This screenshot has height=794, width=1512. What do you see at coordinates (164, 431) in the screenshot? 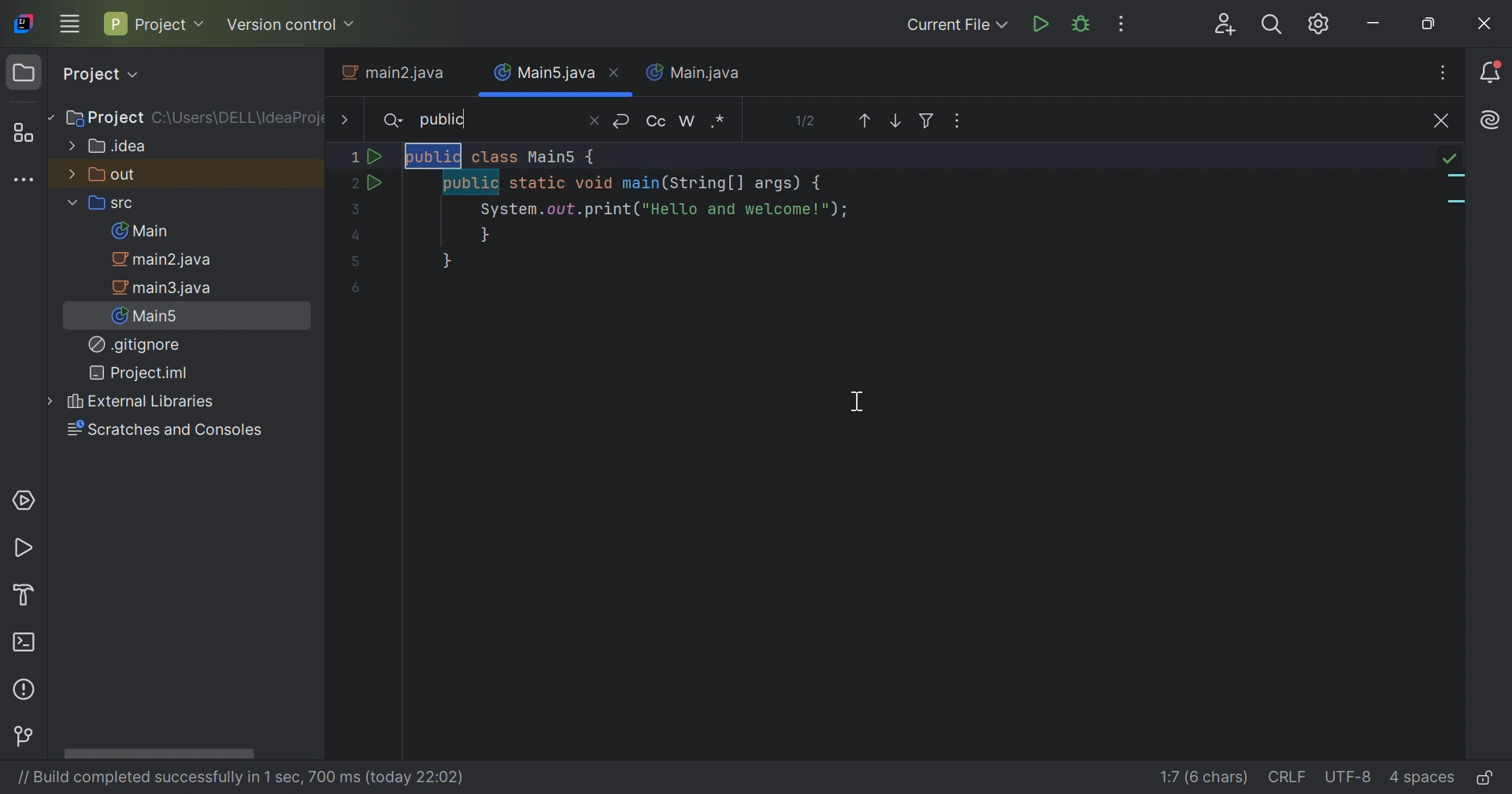
I see `Scratches and Consoles` at bounding box center [164, 431].